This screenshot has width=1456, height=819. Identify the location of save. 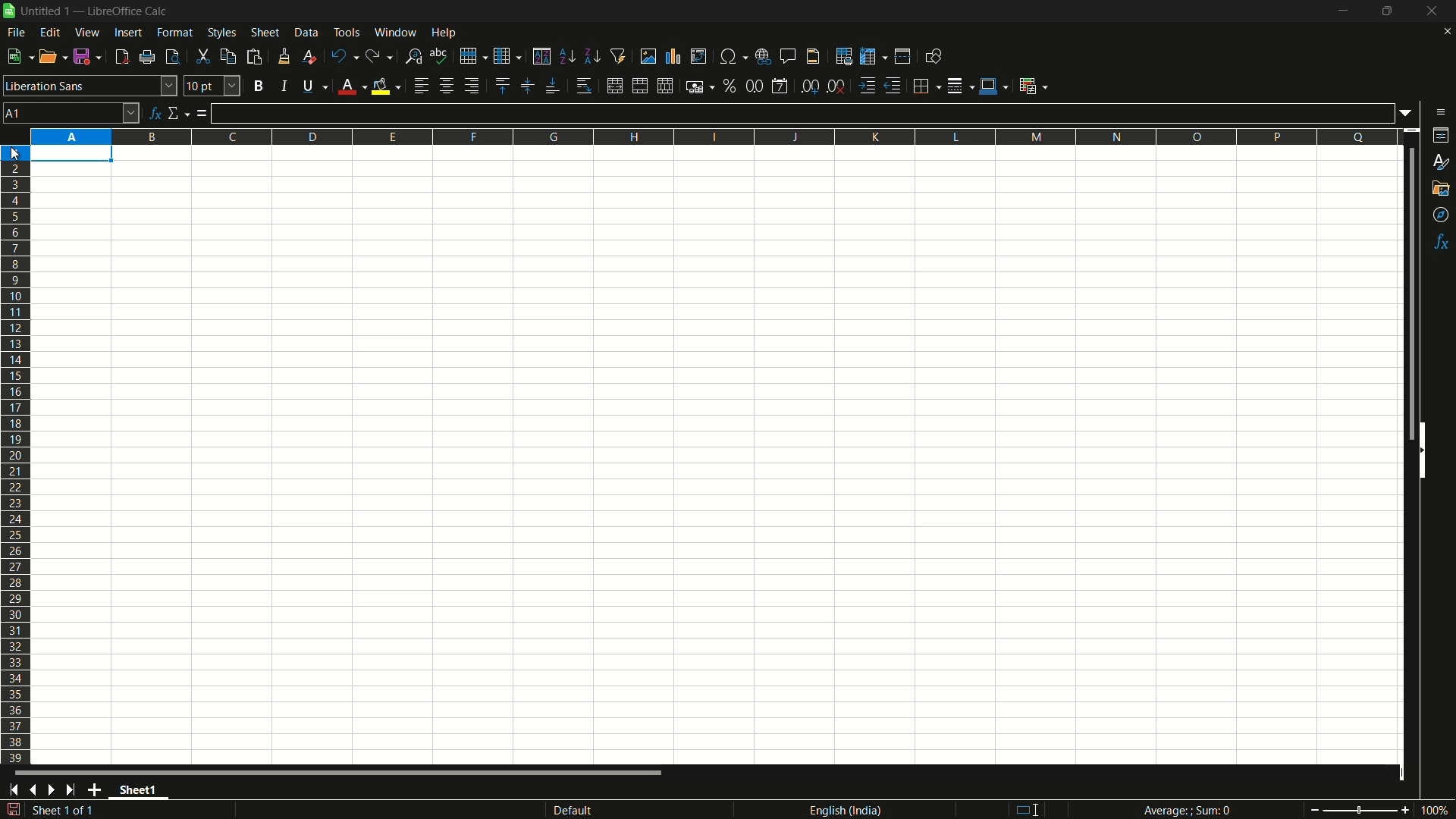
(13, 810).